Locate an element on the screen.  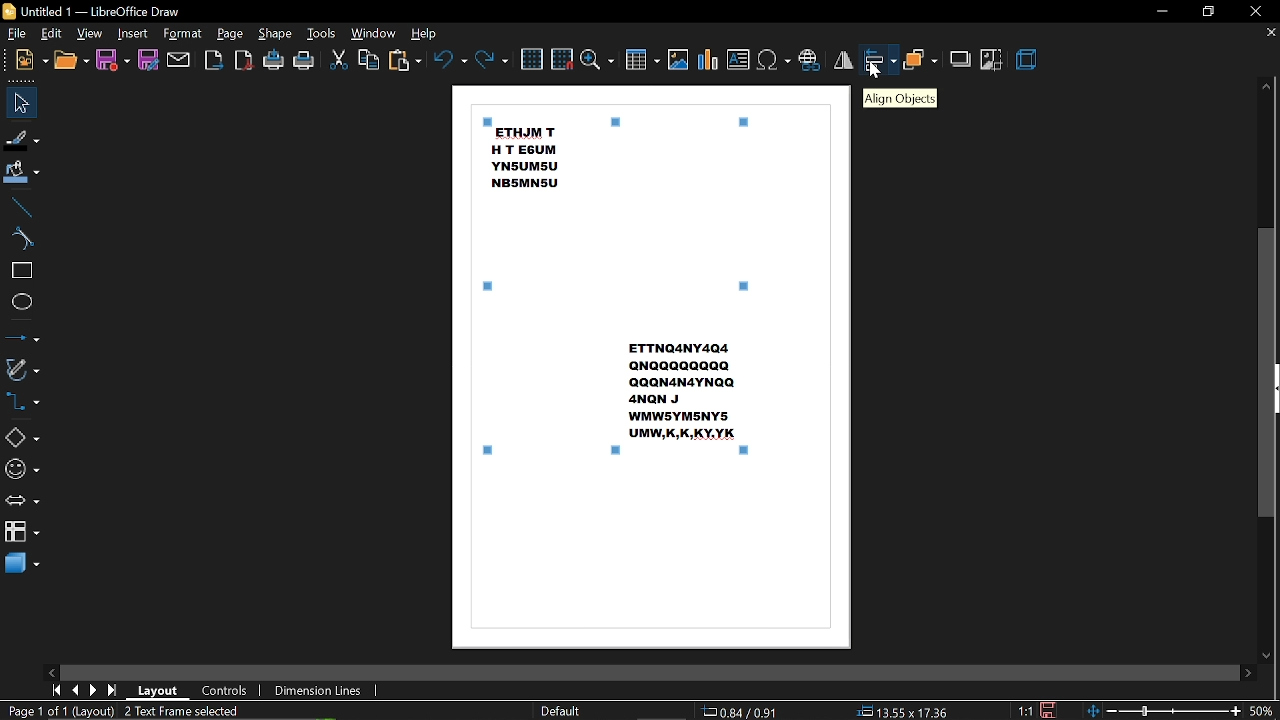
(layout) is located at coordinates (96, 711).